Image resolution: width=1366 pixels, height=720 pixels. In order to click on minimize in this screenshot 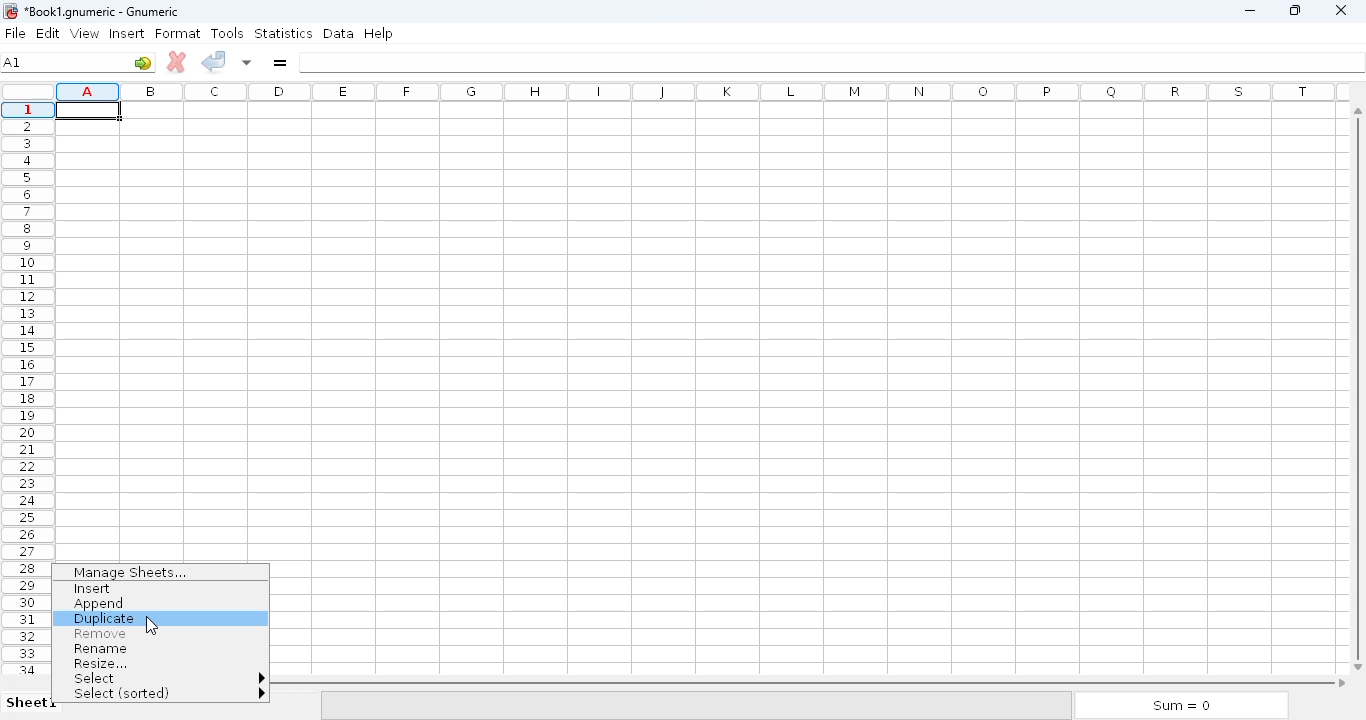, I will do `click(1249, 11)`.